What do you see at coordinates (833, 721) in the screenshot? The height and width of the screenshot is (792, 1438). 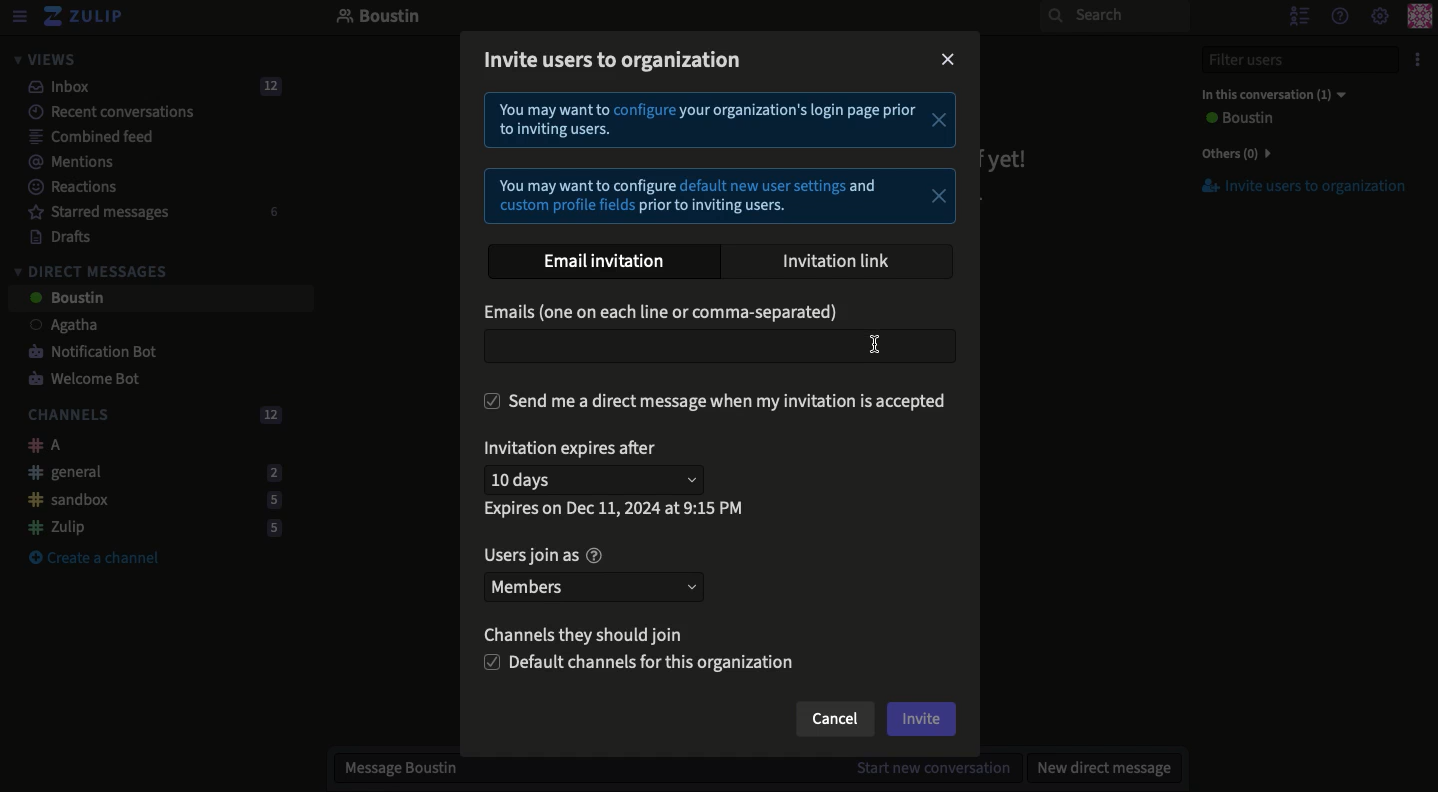 I see `Cancel` at bounding box center [833, 721].